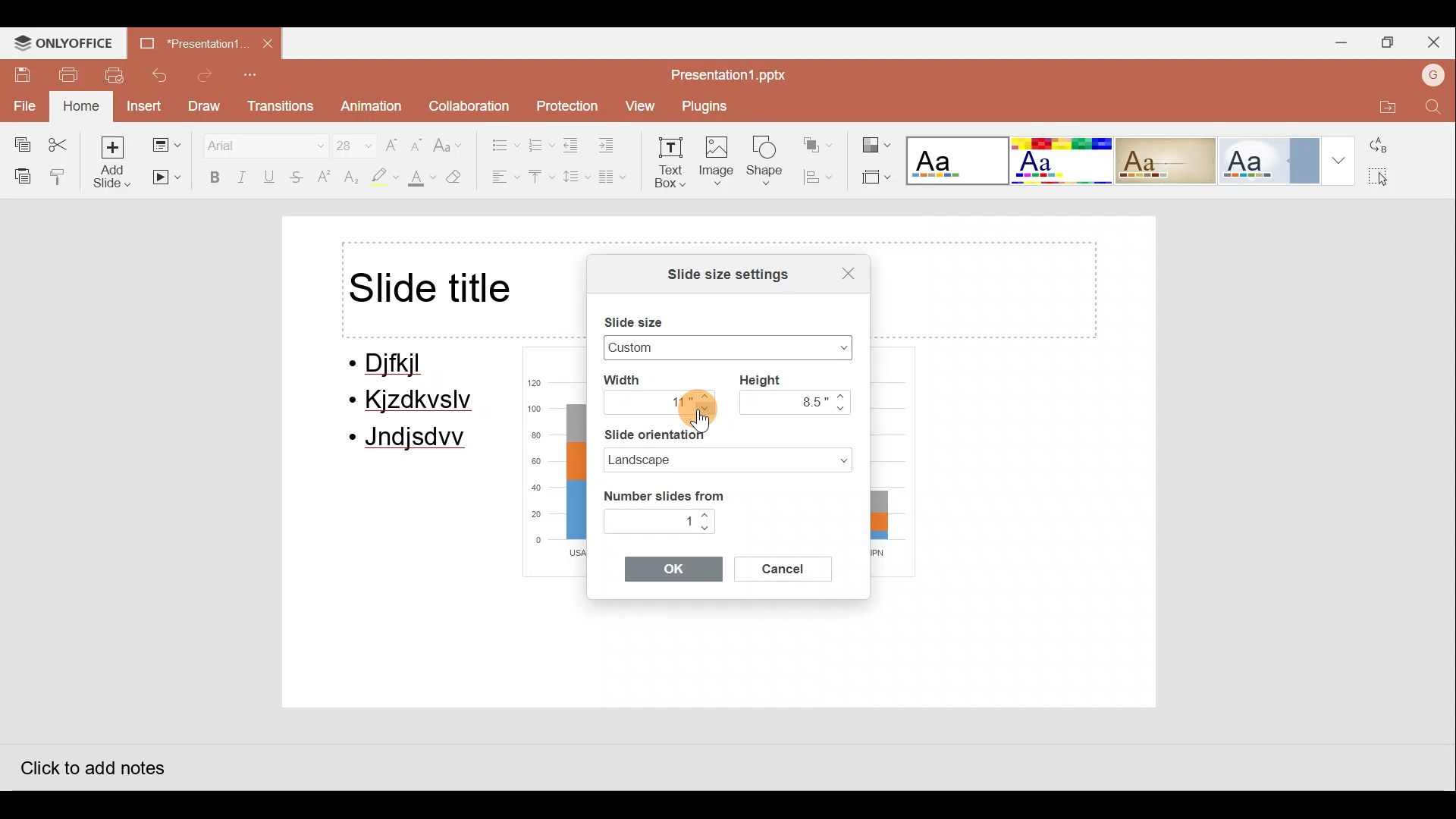 The width and height of the screenshot is (1456, 819). I want to click on Plugins, so click(709, 106).